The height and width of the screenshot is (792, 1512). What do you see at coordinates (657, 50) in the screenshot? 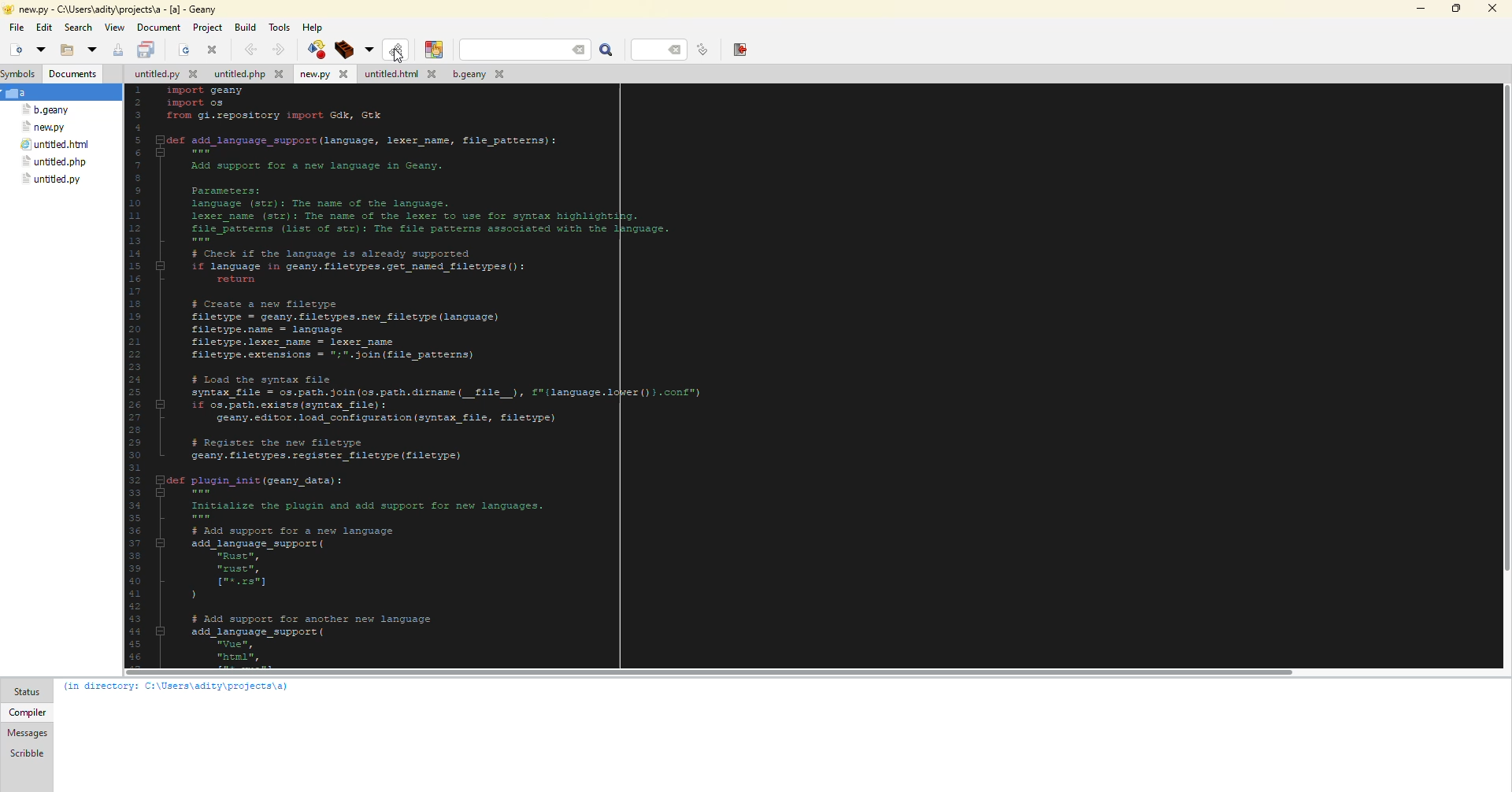
I see `line` at bounding box center [657, 50].